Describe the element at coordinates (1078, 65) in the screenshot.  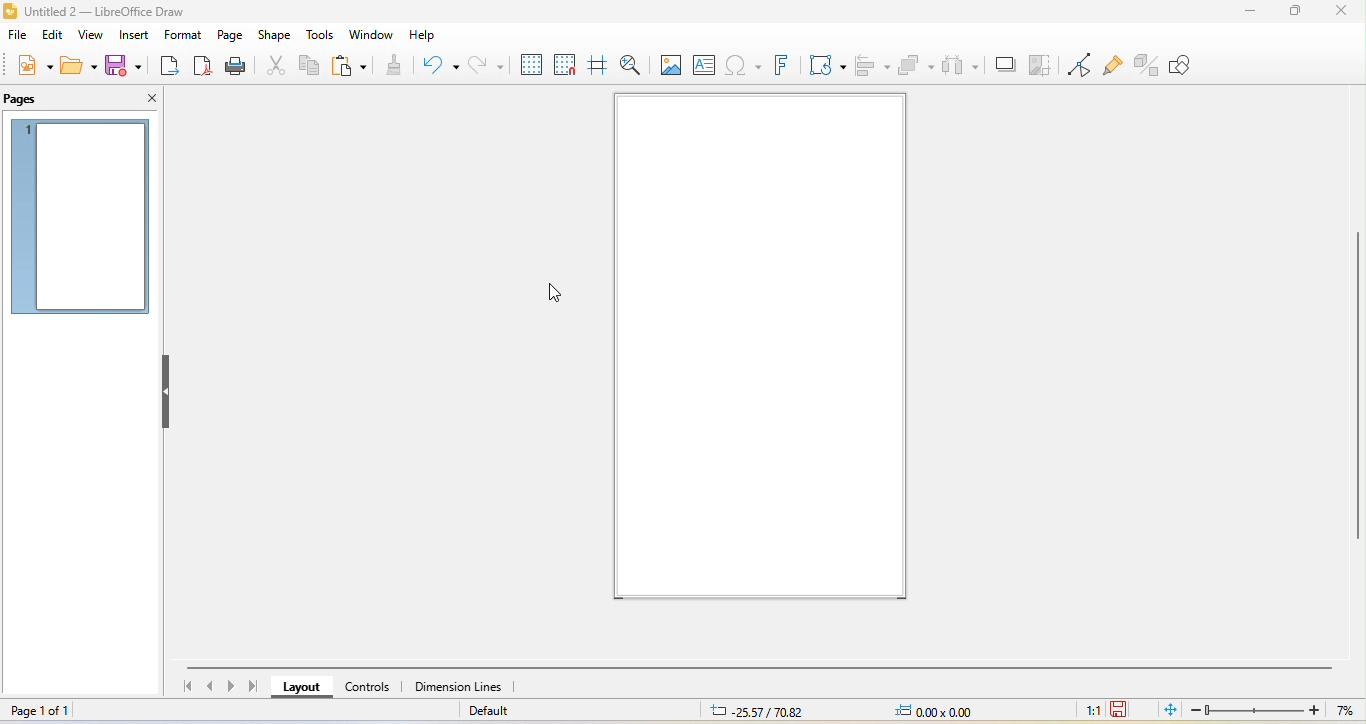
I see `toggle point edit mode` at that location.